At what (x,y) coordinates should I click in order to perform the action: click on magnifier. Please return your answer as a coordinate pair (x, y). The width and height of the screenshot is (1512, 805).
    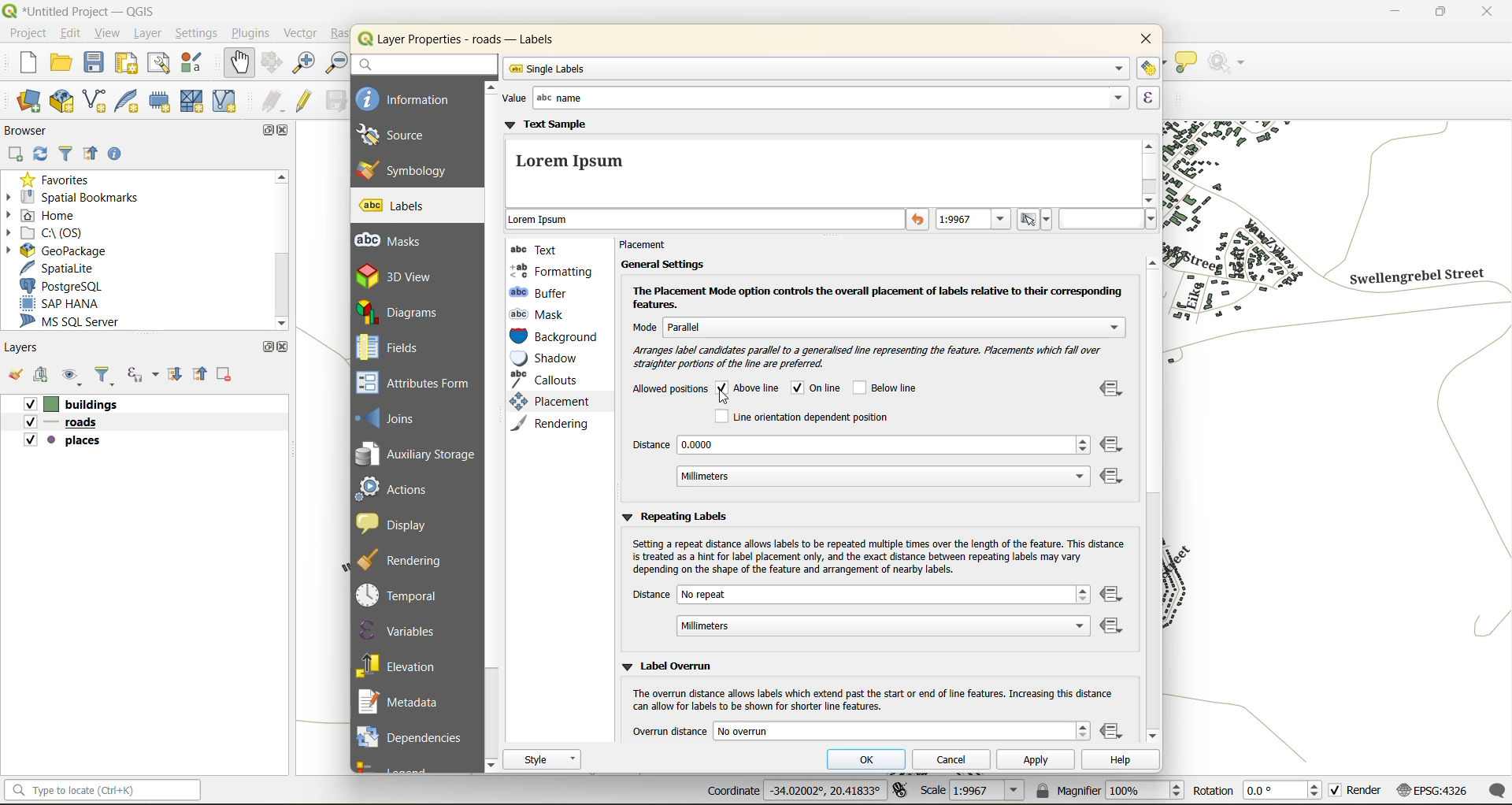
    Looking at the image, I should click on (1108, 790).